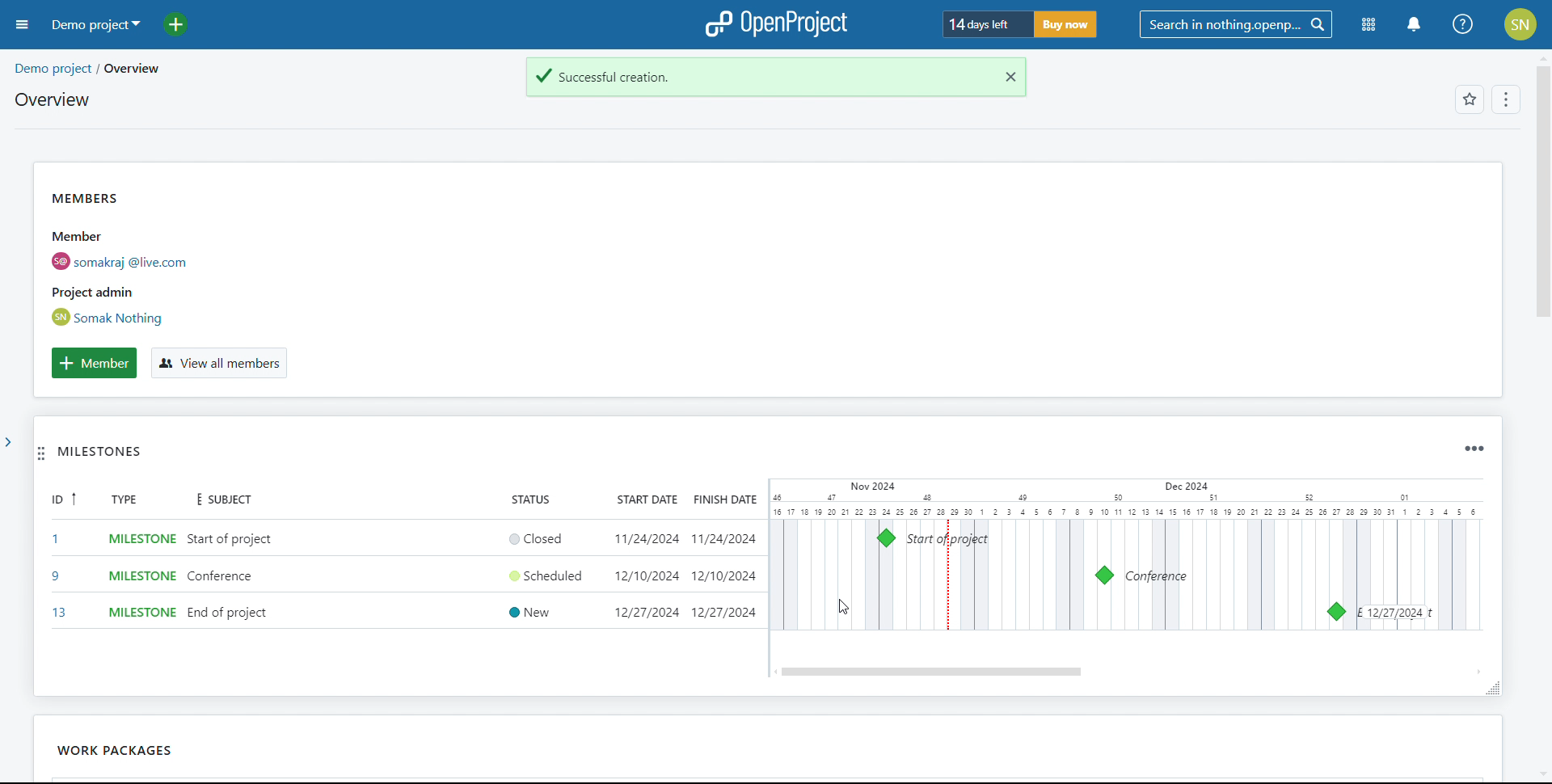 This screenshot has height=784, width=1552. What do you see at coordinates (1540, 213) in the screenshot?
I see `scroll bar` at bounding box center [1540, 213].